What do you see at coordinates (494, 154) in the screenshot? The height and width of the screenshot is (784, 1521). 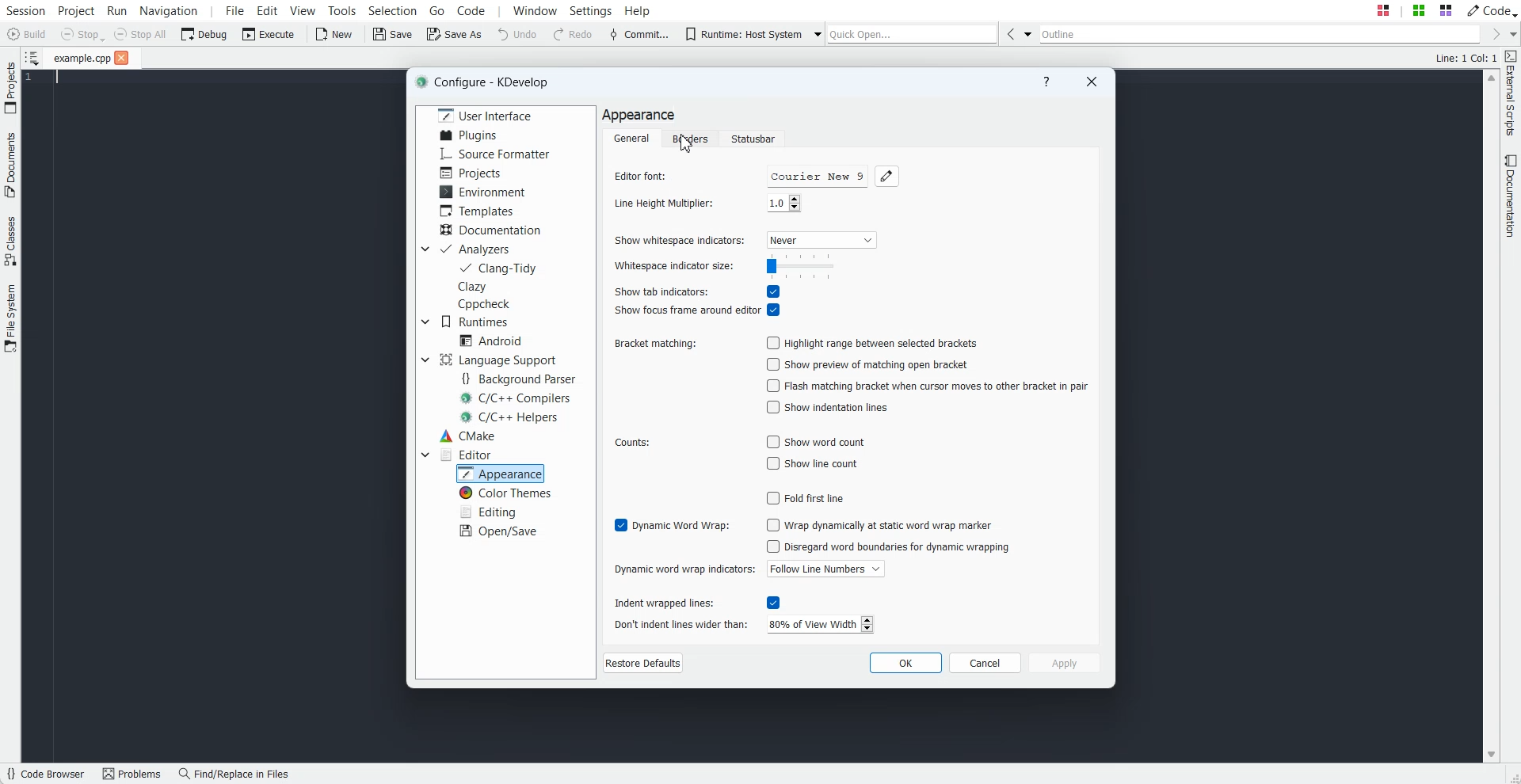 I see `Source Formatter` at bounding box center [494, 154].